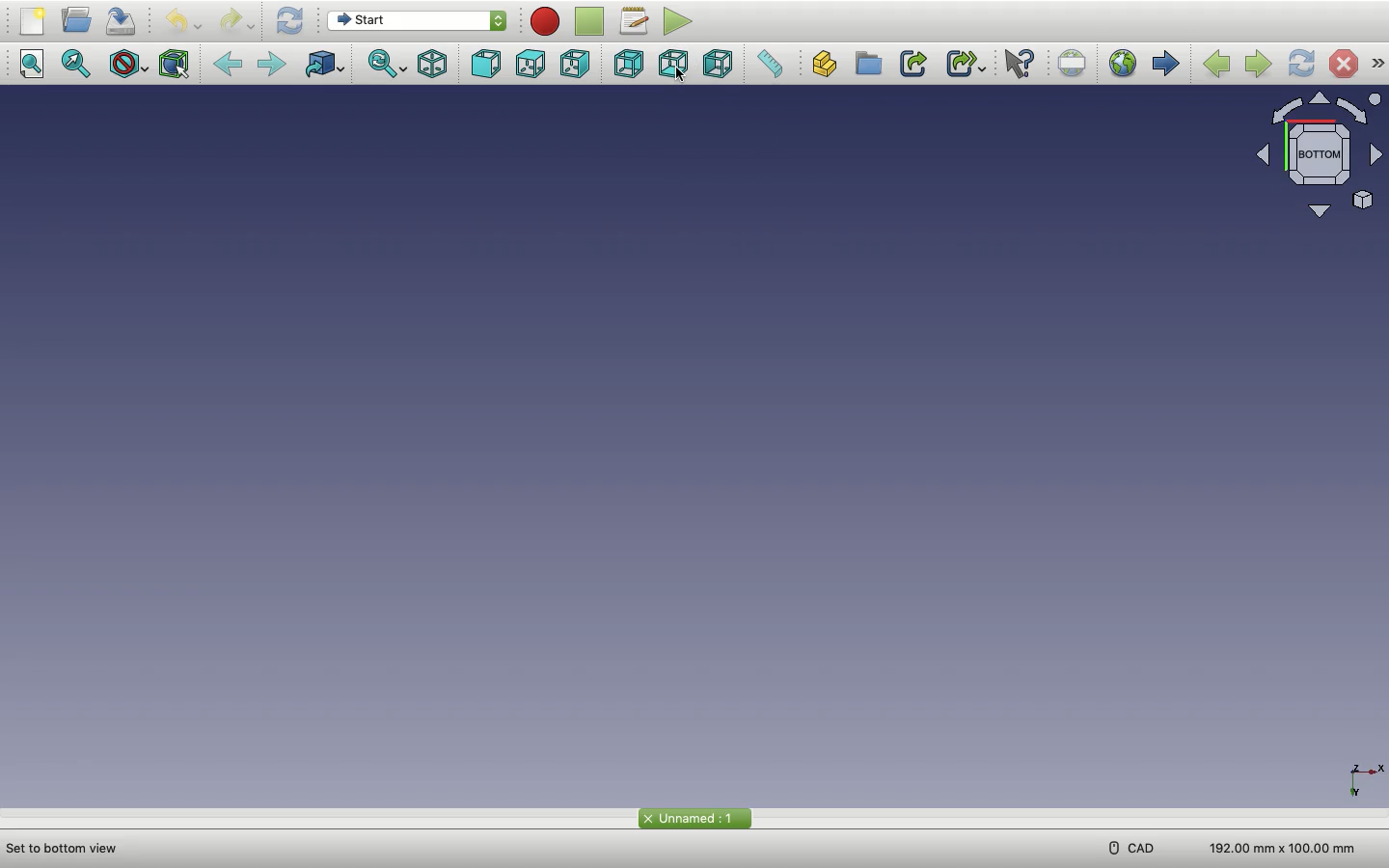  Describe the element at coordinates (1074, 63) in the screenshot. I see `Set URL` at that location.